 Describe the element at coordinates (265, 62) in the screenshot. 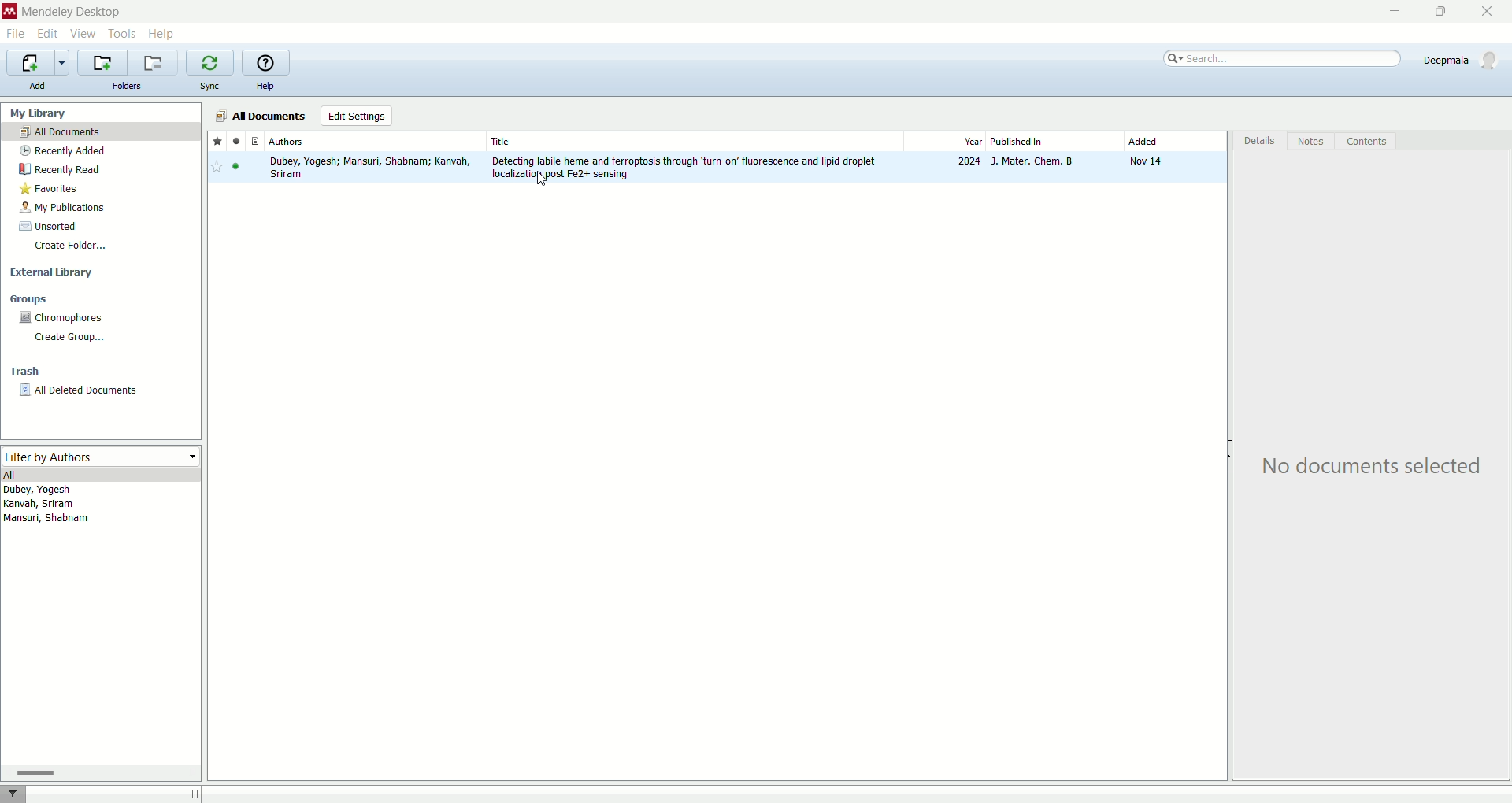

I see `help guide for mendeley` at that location.